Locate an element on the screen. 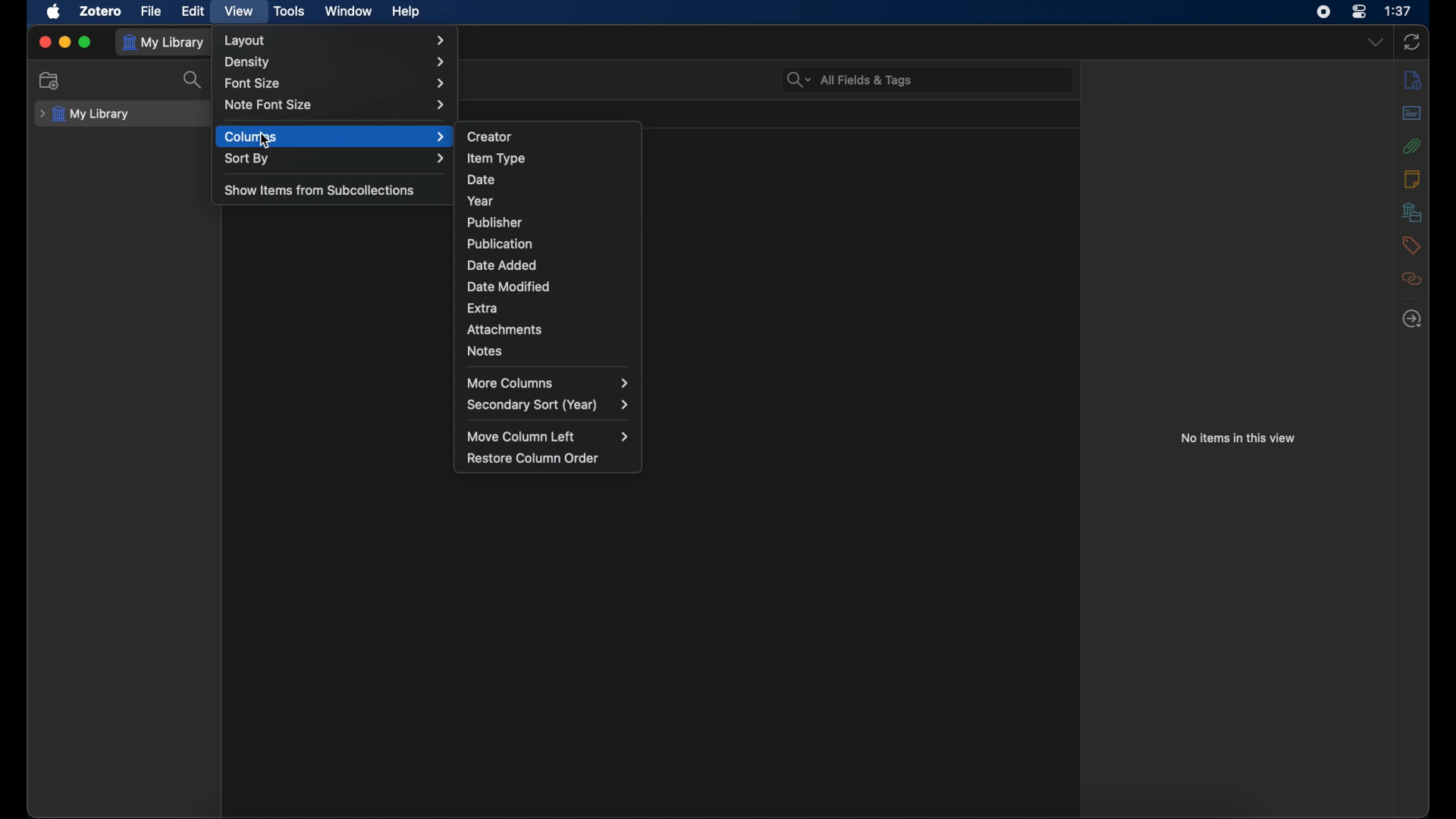 This screenshot has height=819, width=1456. density is located at coordinates (334, 61).